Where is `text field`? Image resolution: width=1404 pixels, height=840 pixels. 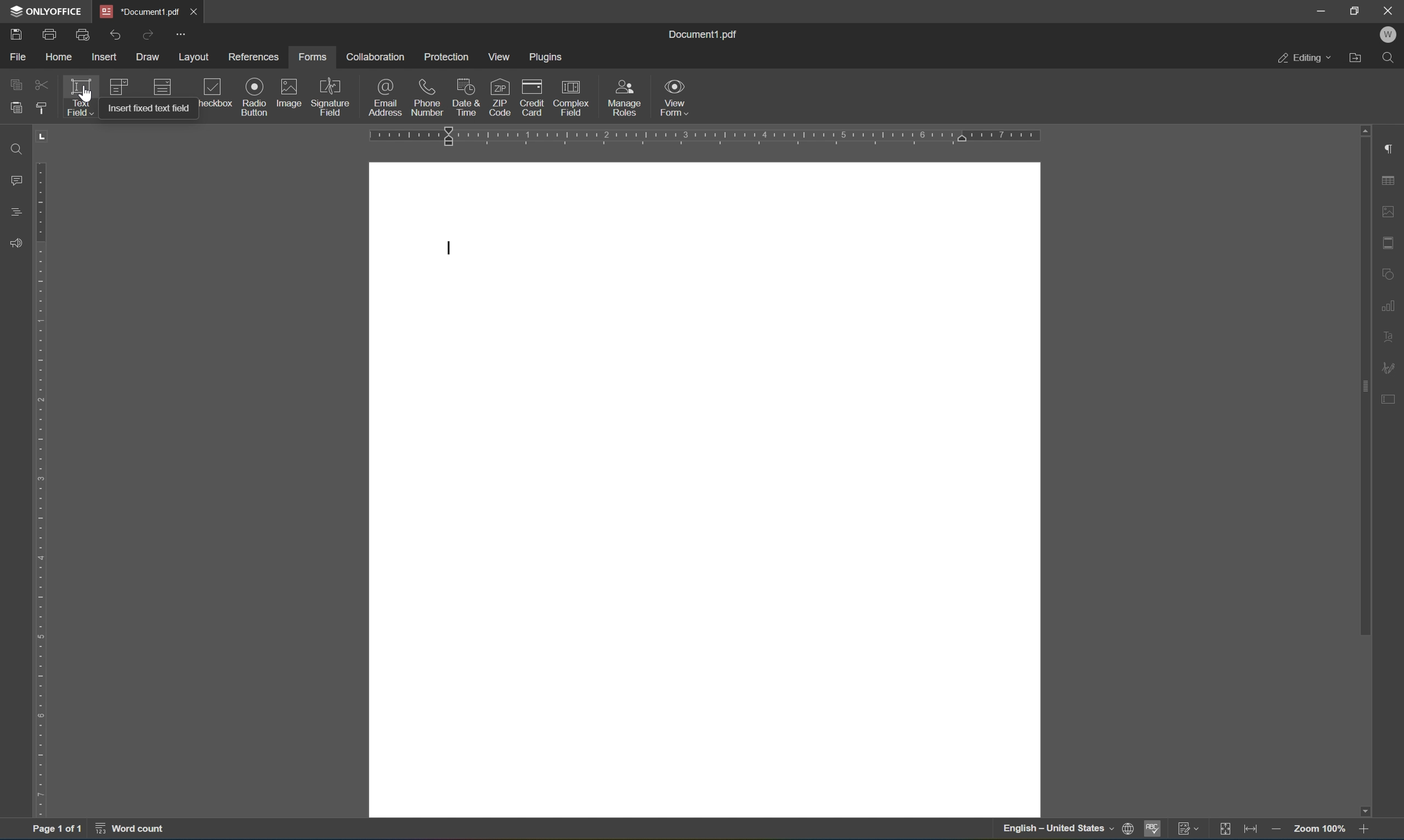
text field is located at coordinates (79, 96).